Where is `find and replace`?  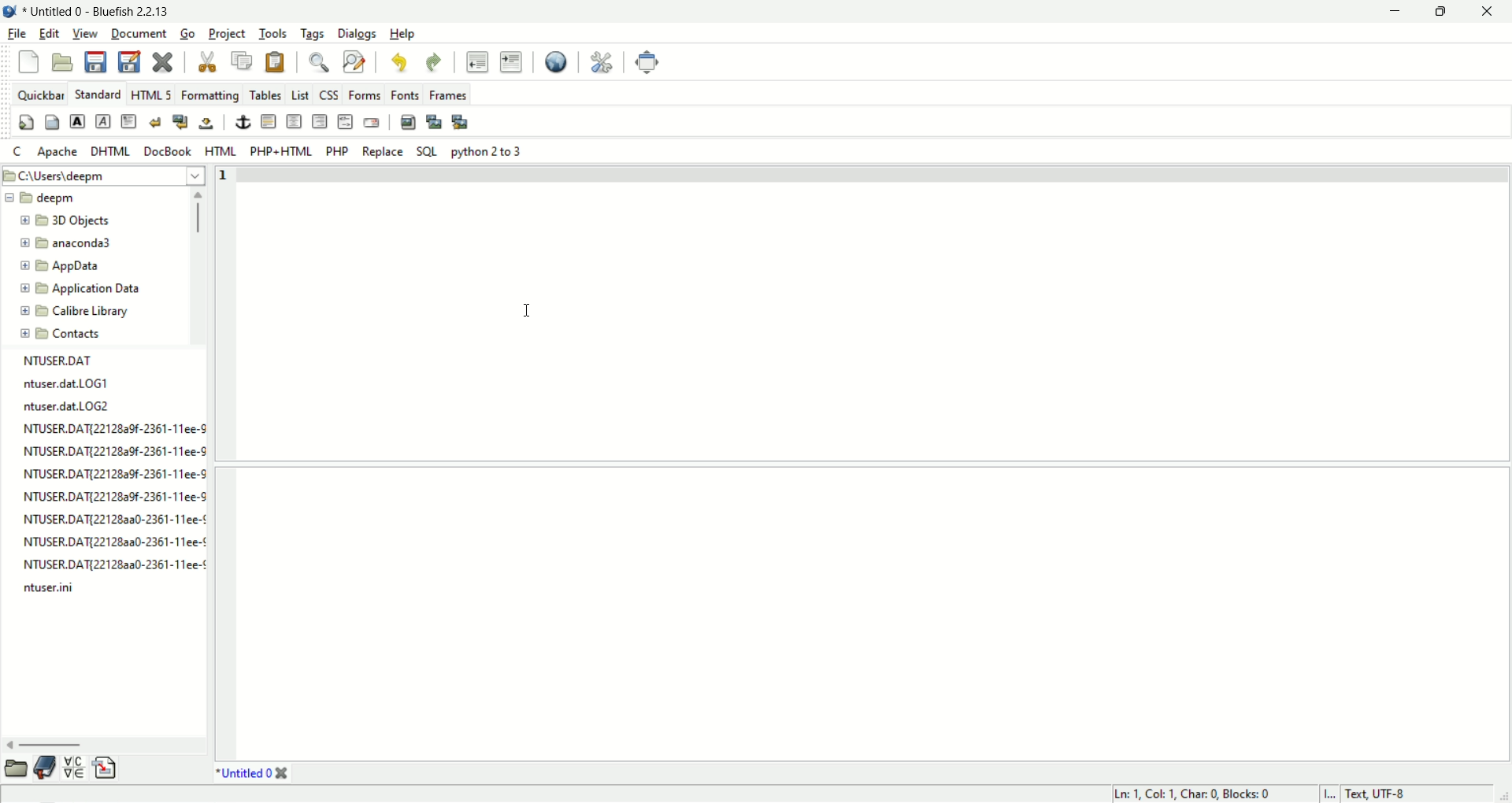
find and replace is located at coordinates (354, 62).